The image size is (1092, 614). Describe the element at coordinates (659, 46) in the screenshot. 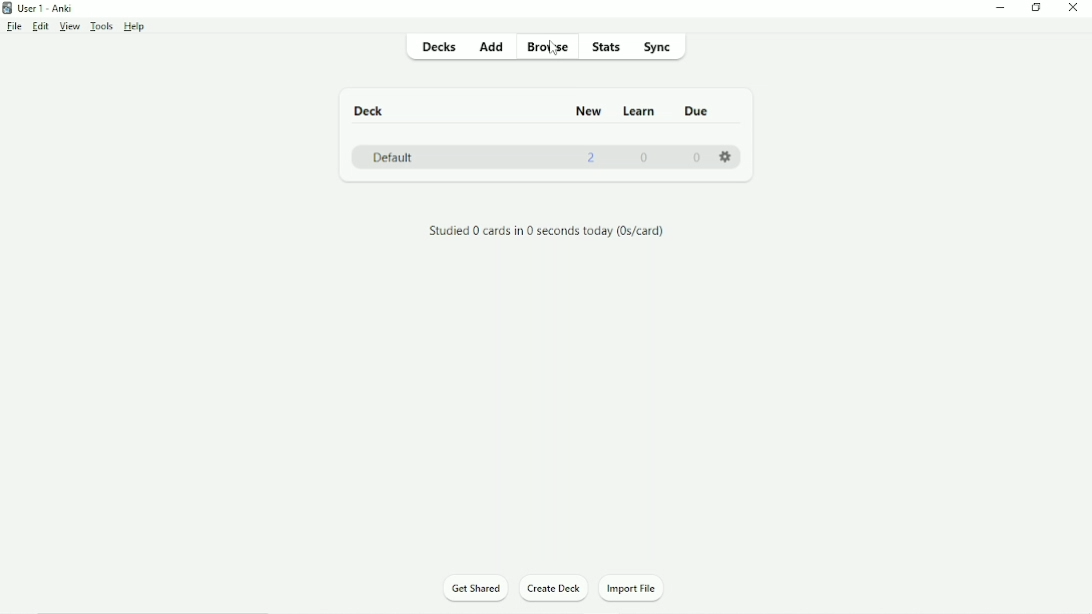

I see `Sync` at that location.